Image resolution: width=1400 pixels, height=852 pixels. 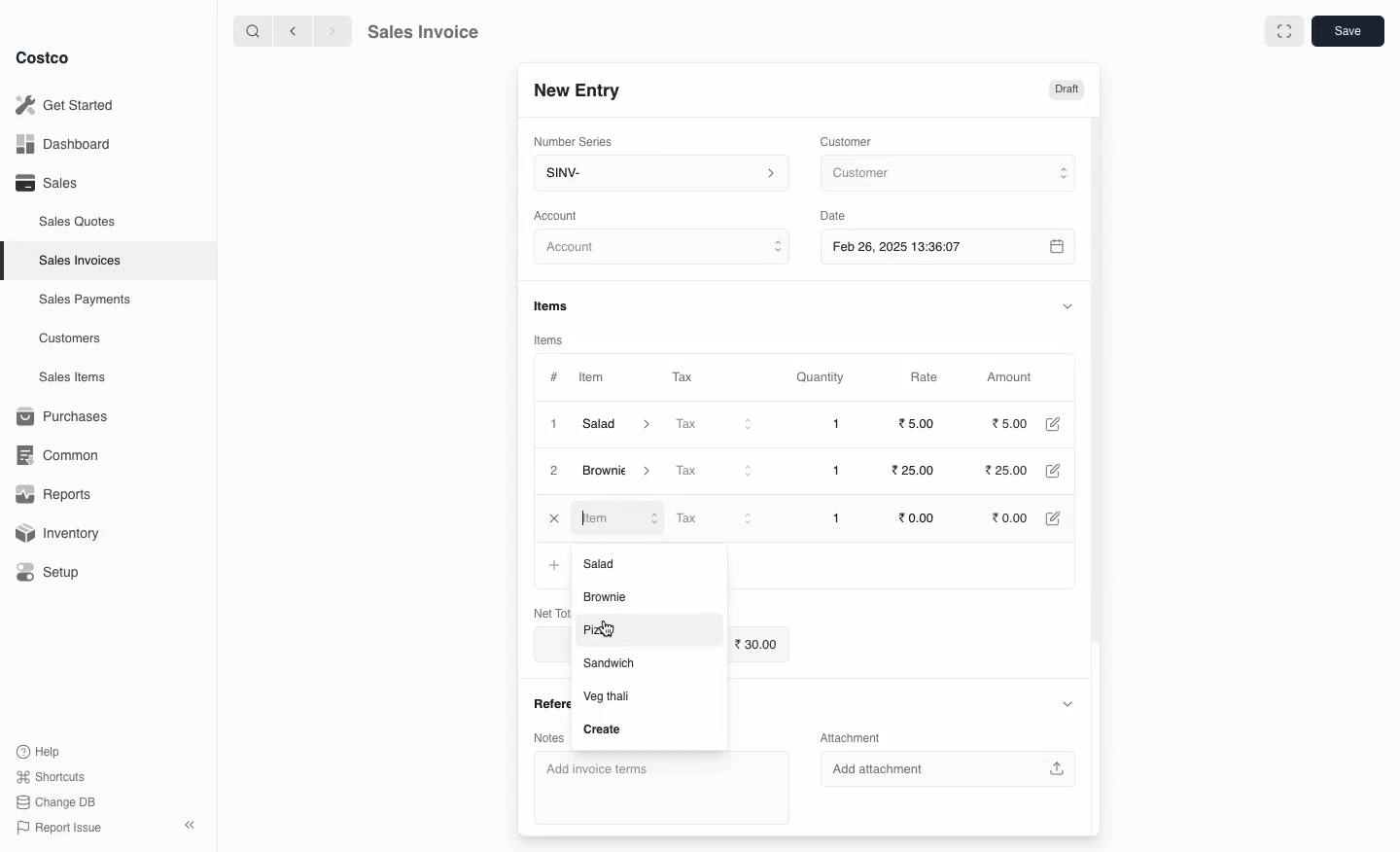 What do you see at coordinates (617, 517) in the screenshot?
I see `Item` at bounding box center [617, 517].